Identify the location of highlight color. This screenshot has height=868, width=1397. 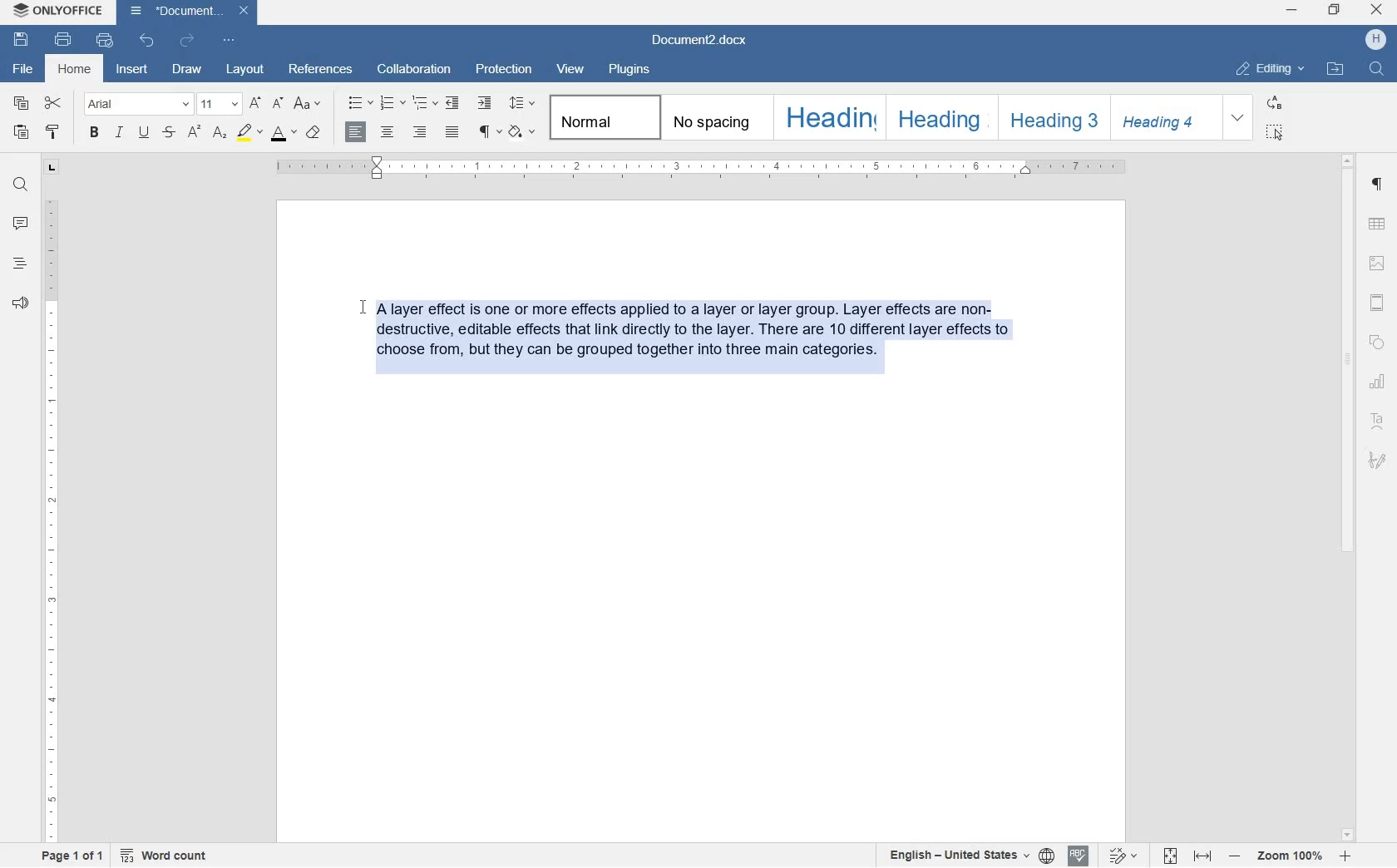
(249, 134).